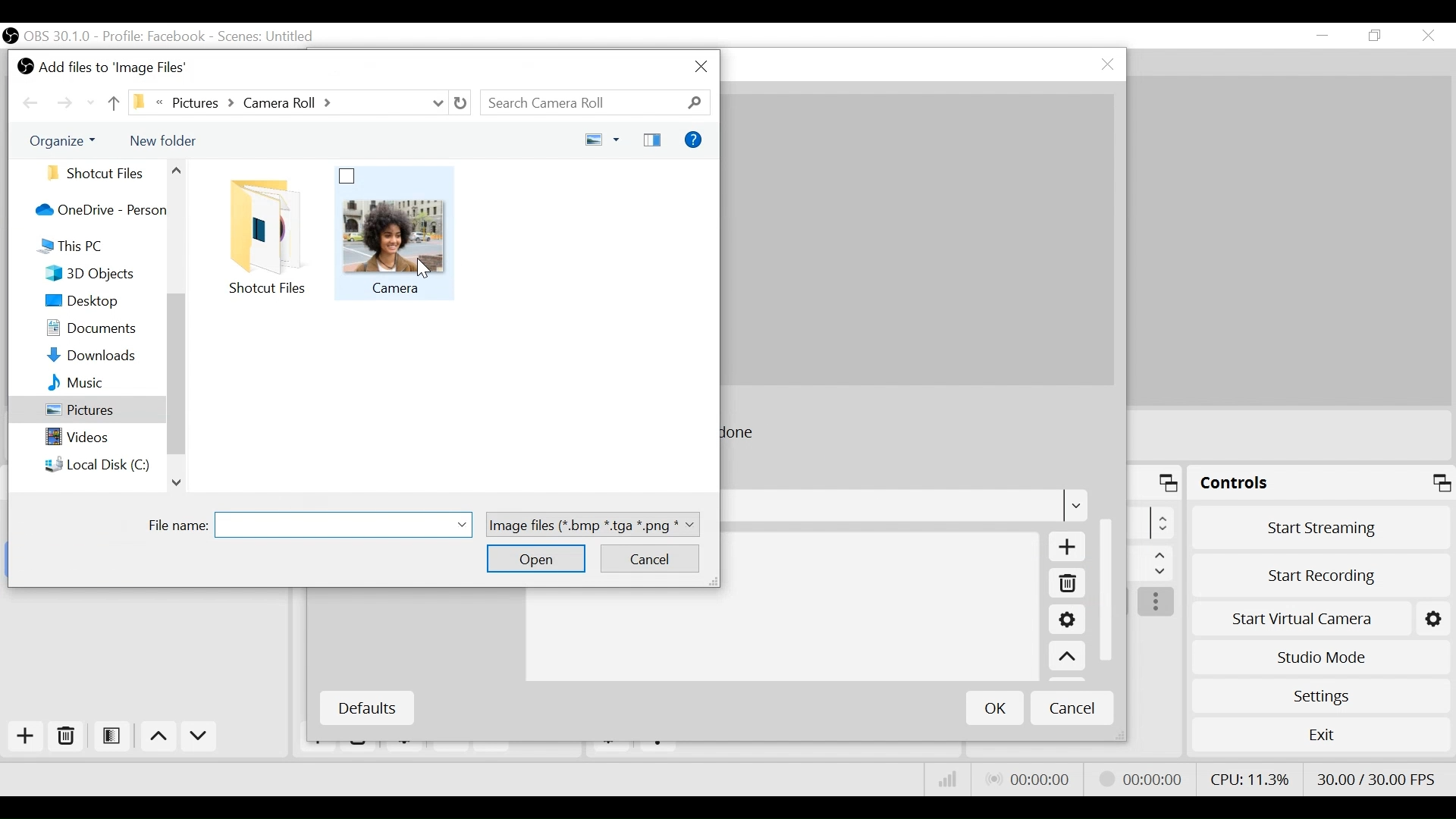 The image size is (1456, 819). I want to click on Exit, so click(1321, 738).